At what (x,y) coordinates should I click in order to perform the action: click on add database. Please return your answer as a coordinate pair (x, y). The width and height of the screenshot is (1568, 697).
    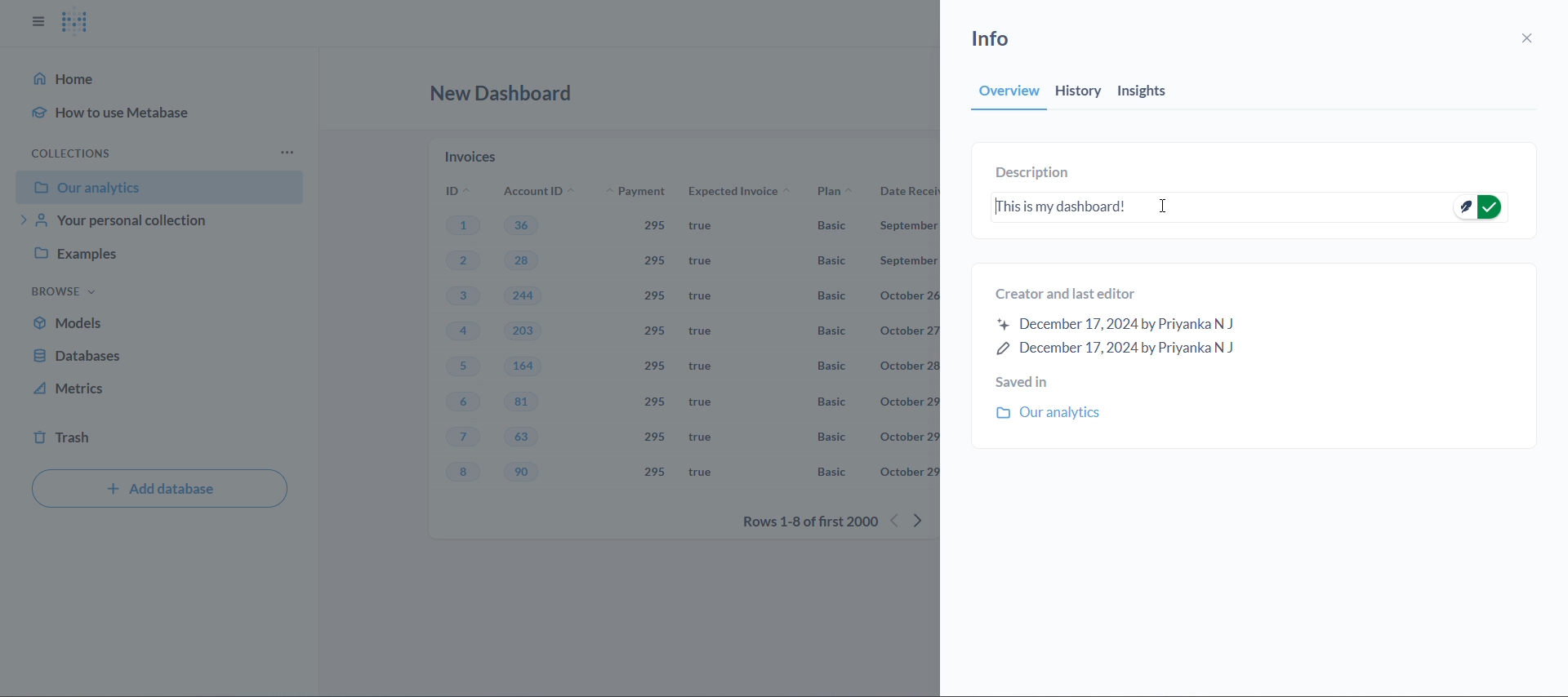
    Looking at the image, I should click on (160, 489).